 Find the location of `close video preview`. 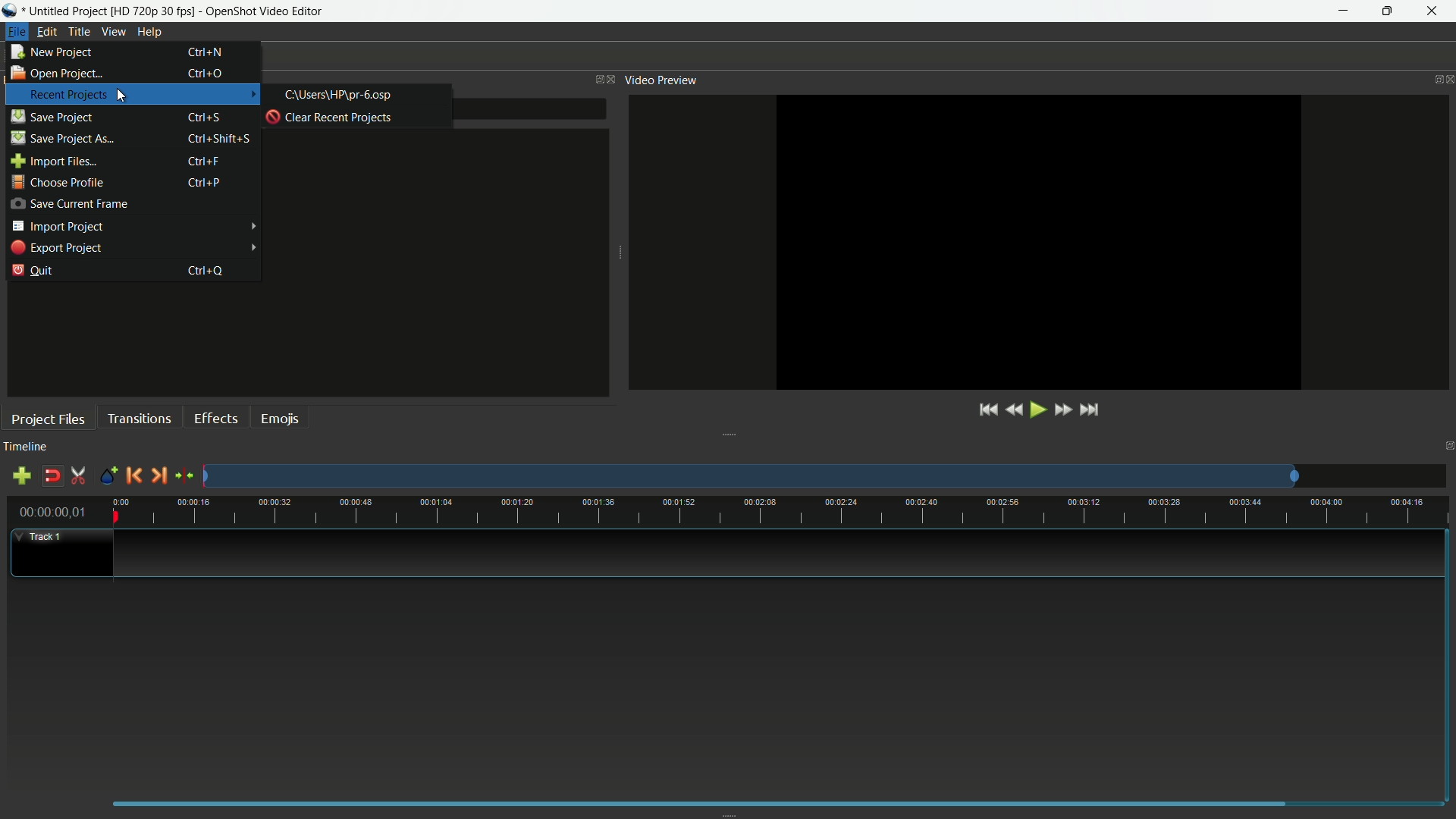

close video preview is located at coordinates (1447, 80).